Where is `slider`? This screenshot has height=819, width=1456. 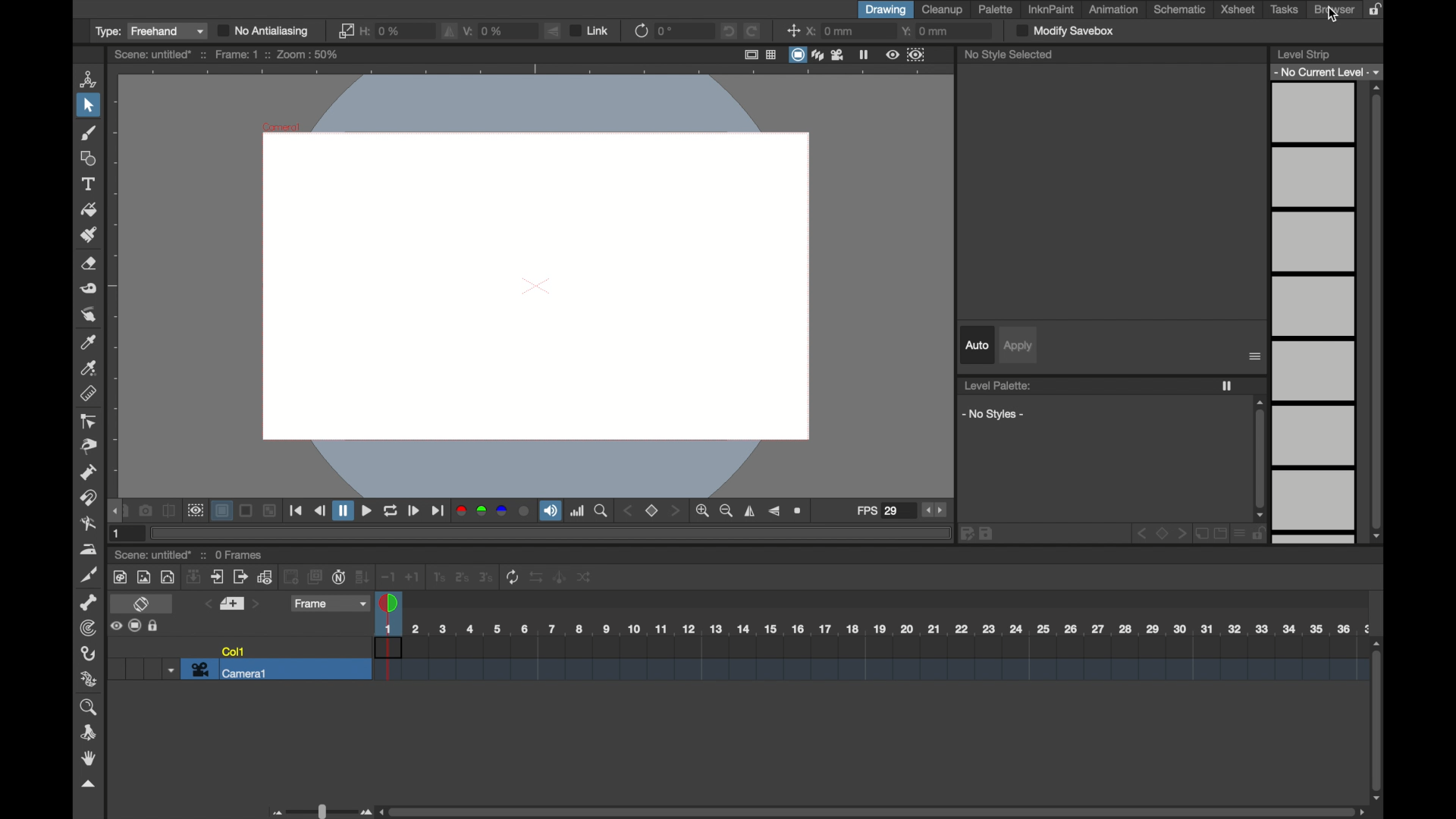 slider is located at coordinates (318, 811).